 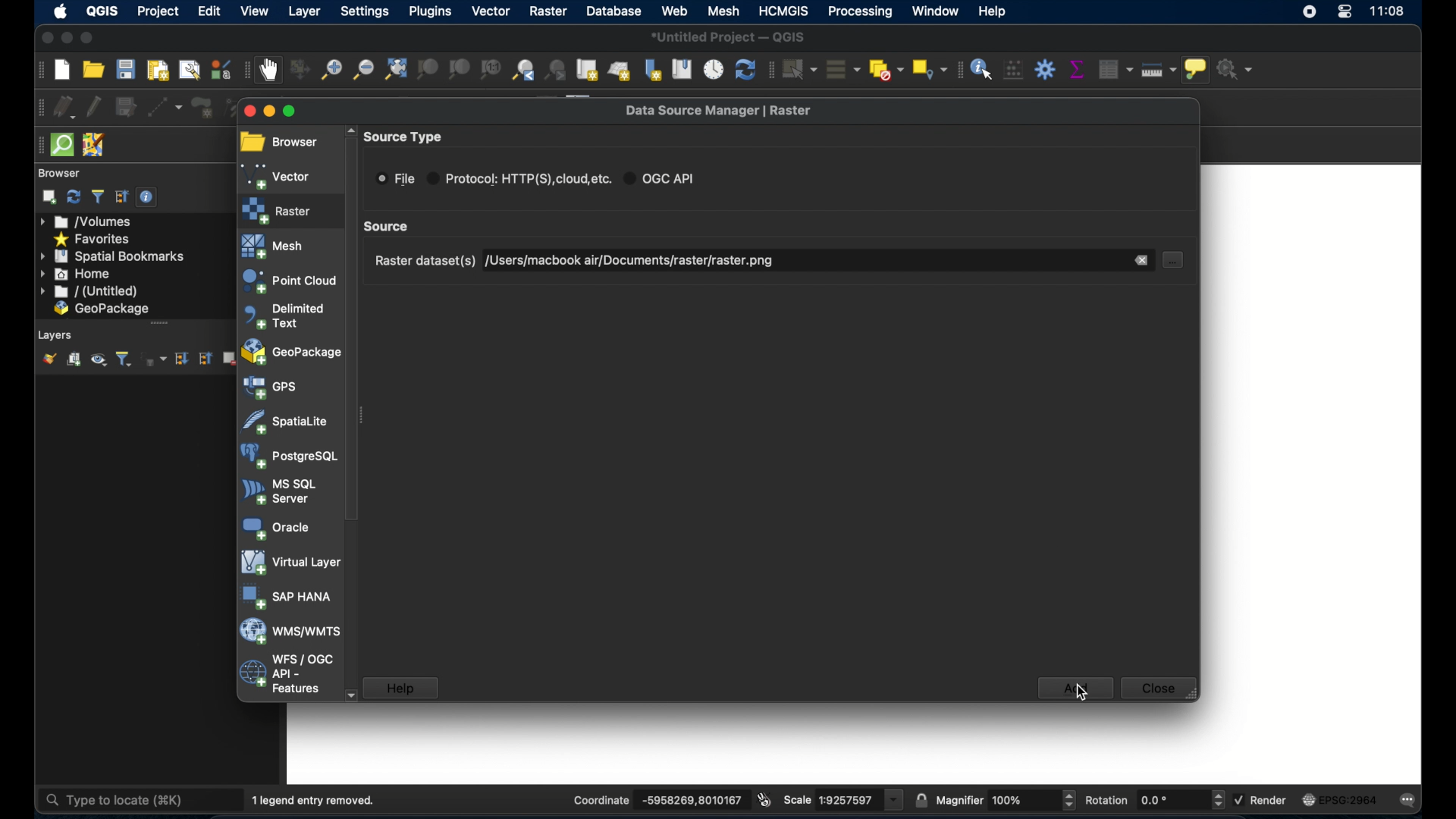 I want to click on add polygon feature, so click(x=202, y=108).